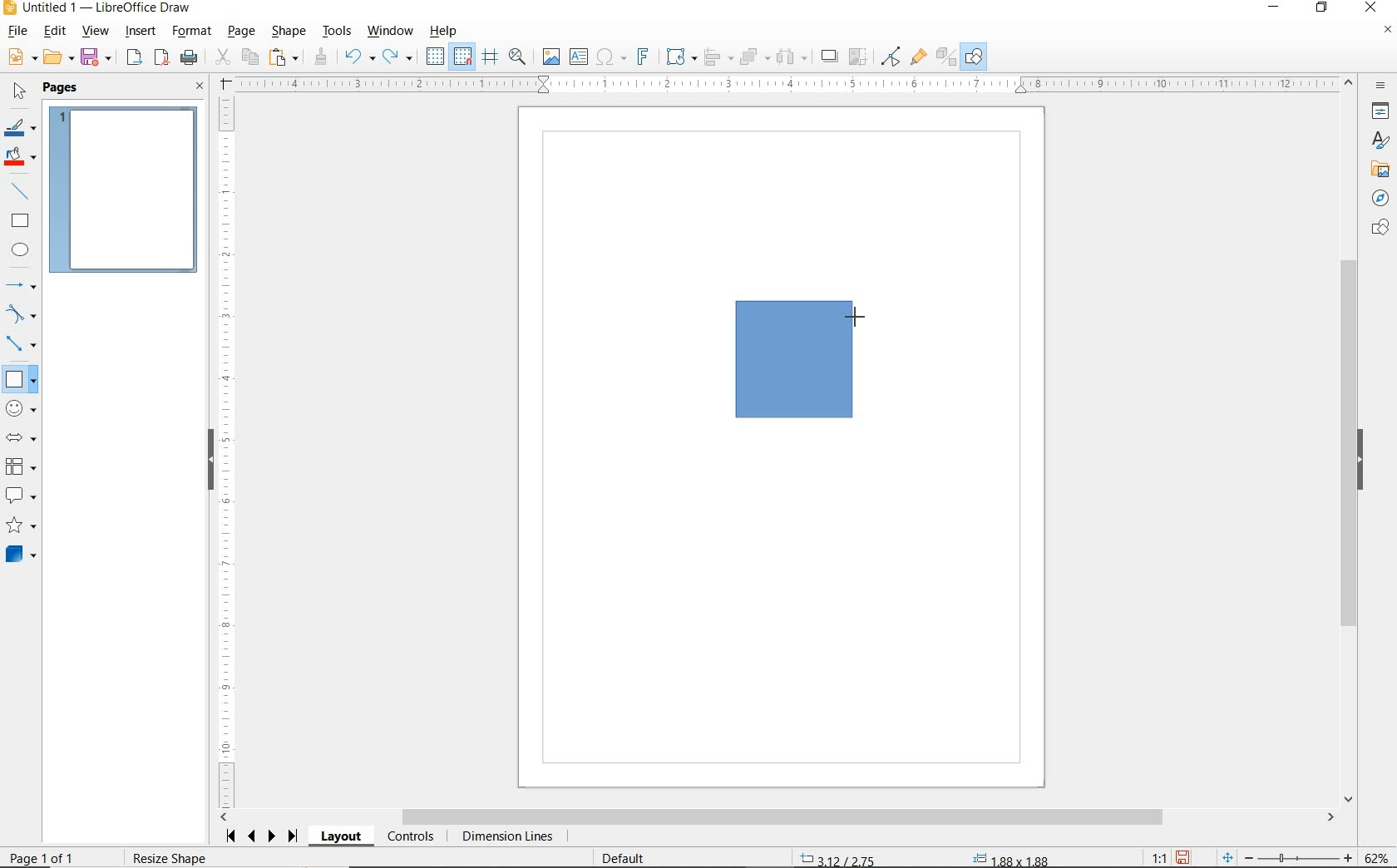  What do you see at coordinates (343, 836) in the screenshot?
I see `LAYOUT` at bounding box center [343, 836].